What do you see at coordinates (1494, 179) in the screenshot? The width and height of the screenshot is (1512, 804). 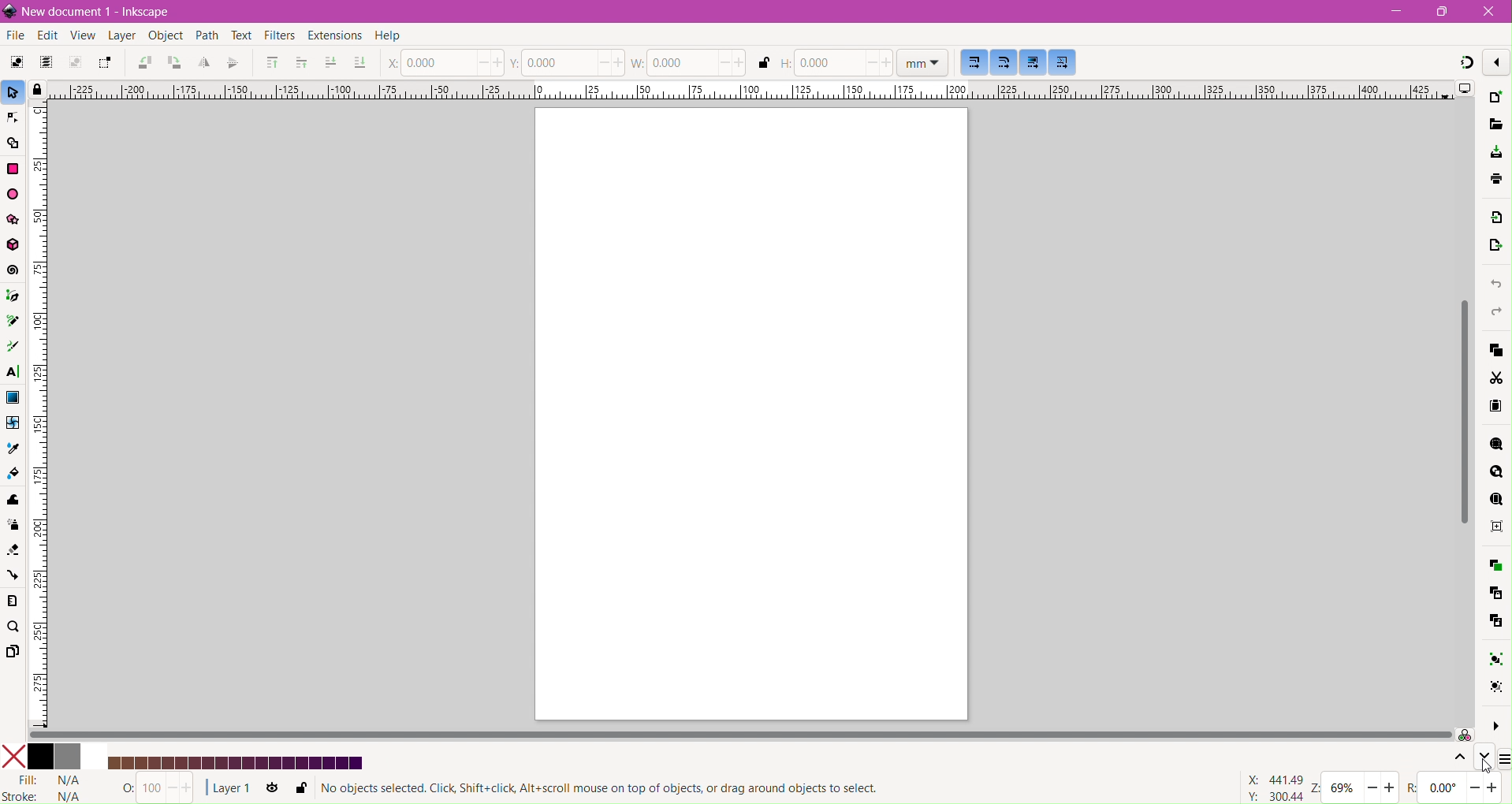 I see `save` at bounding box center [1494, 179].